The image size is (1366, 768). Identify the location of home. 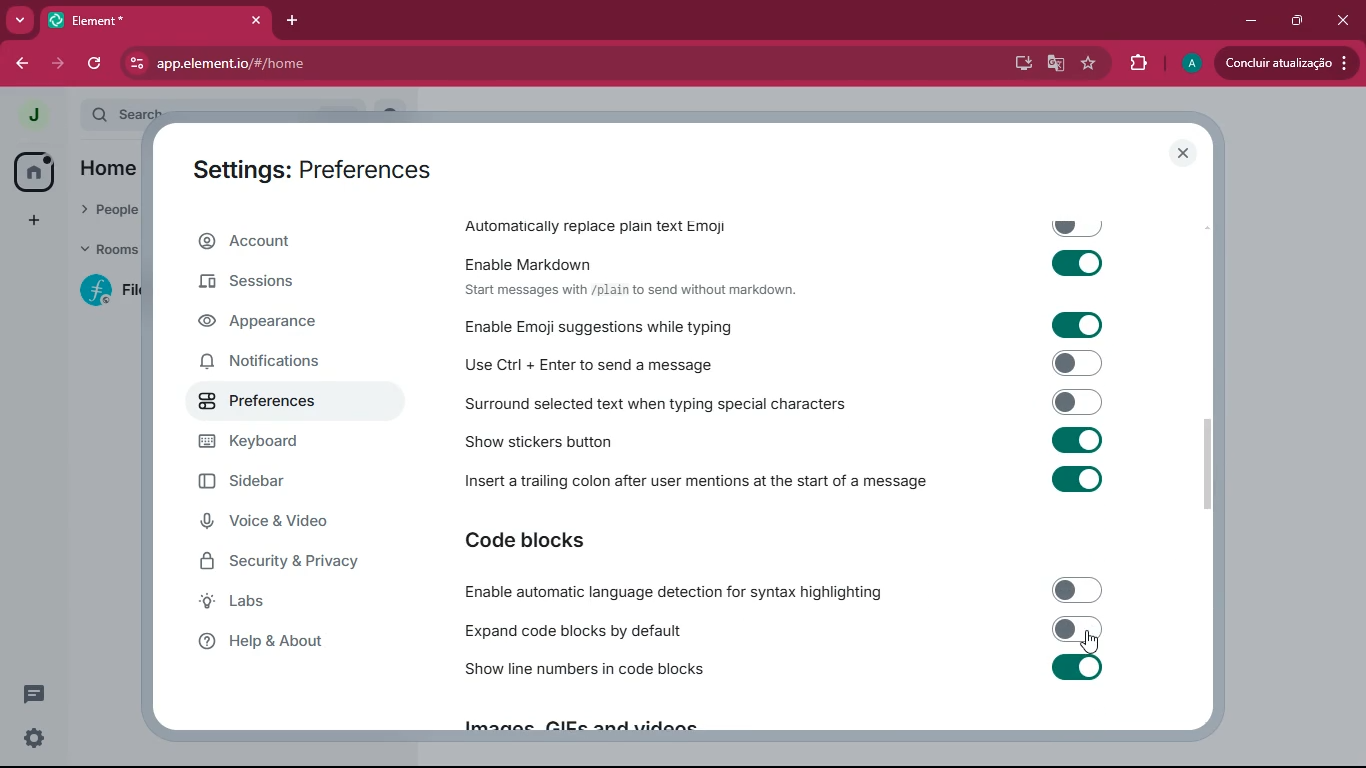
(114, 170).